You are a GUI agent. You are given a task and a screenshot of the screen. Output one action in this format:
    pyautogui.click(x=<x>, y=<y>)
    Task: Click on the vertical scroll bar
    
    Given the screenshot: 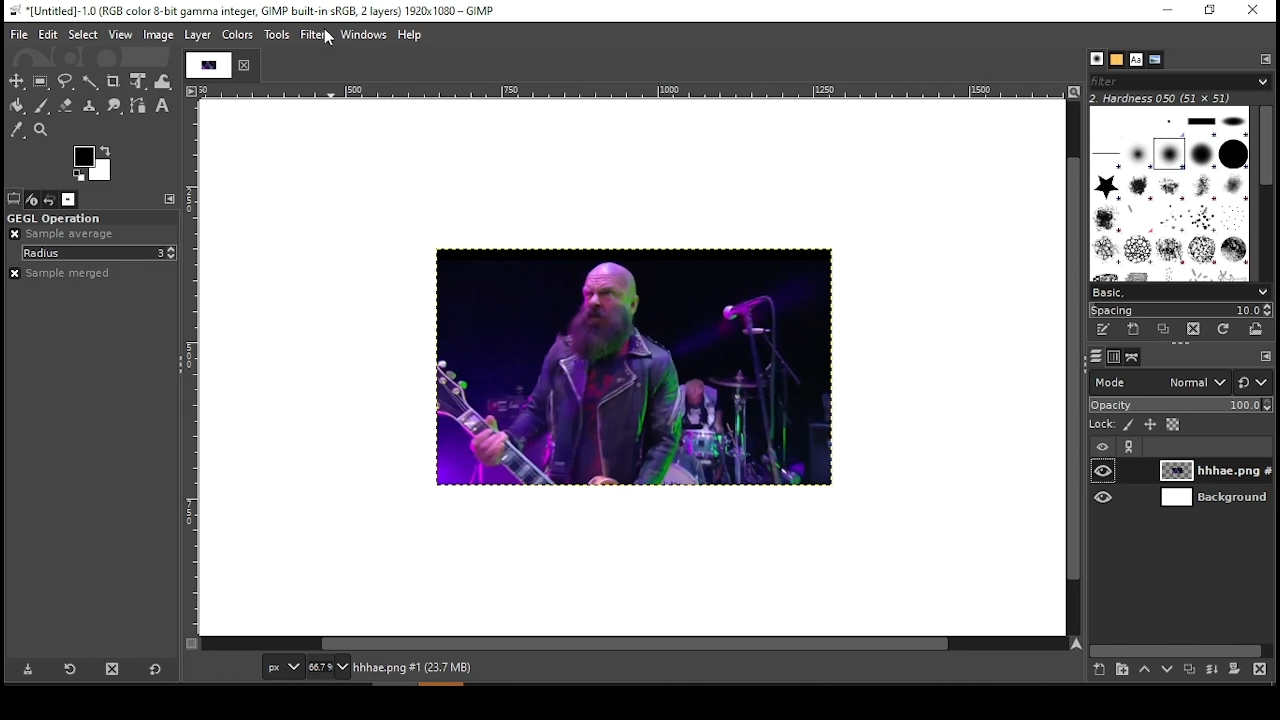 What is the action you would take?
    pyautogui.click(x=1075, y=369)
    